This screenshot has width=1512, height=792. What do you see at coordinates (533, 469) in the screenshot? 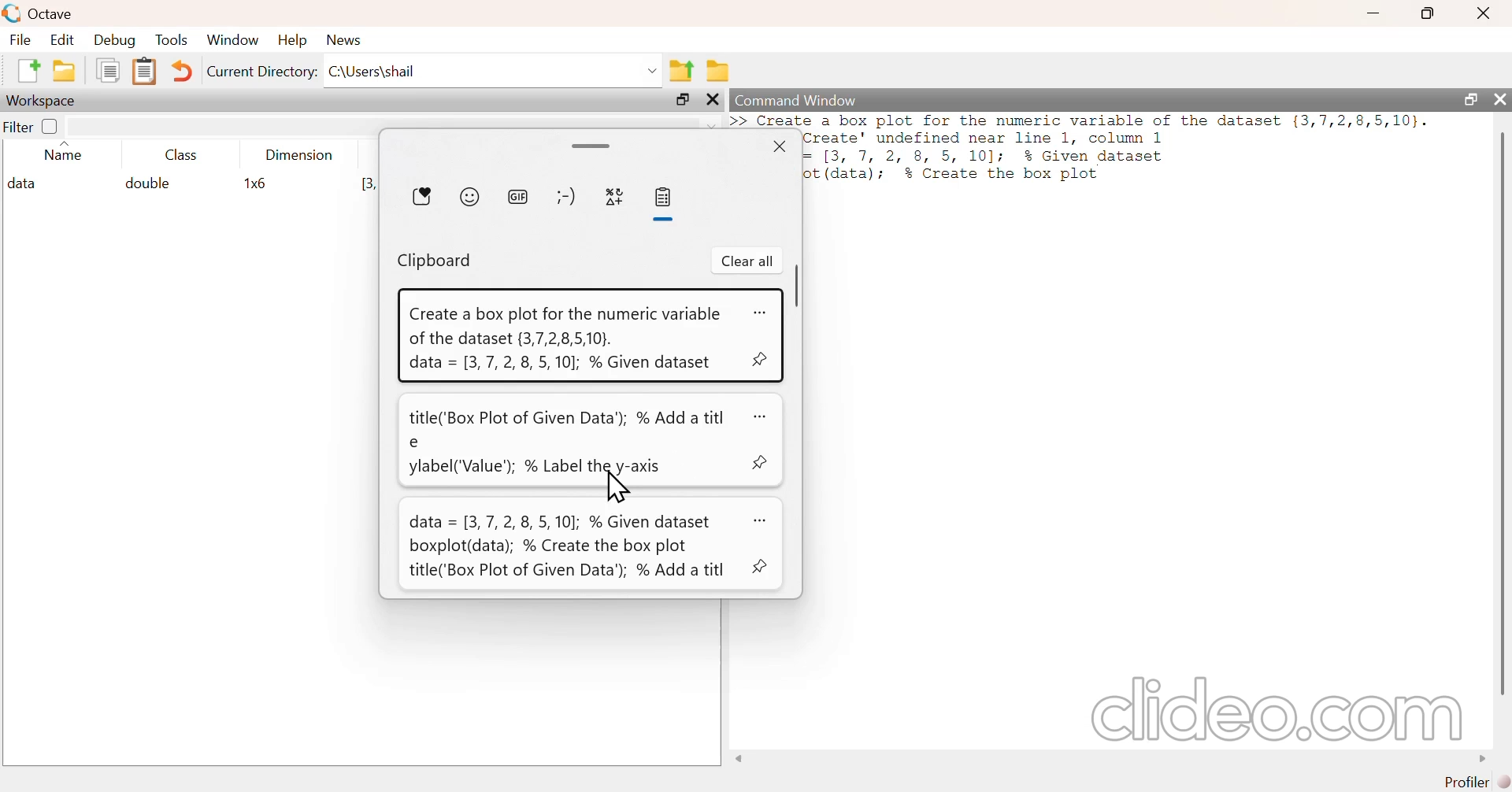
I see `ylabel('Value’); % Label the y-axis` at bounding box center [533, 469].